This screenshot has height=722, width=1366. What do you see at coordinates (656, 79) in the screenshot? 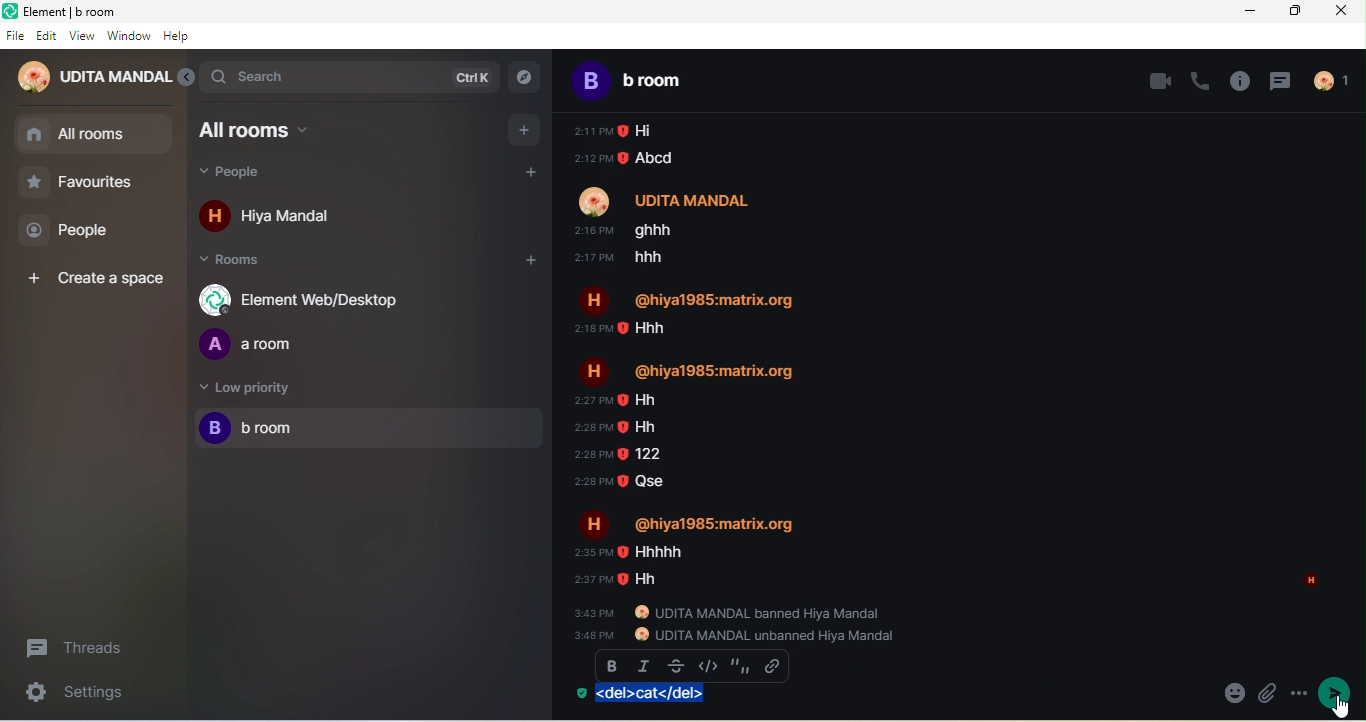
I see `b room` at bounding box center [656, 79].